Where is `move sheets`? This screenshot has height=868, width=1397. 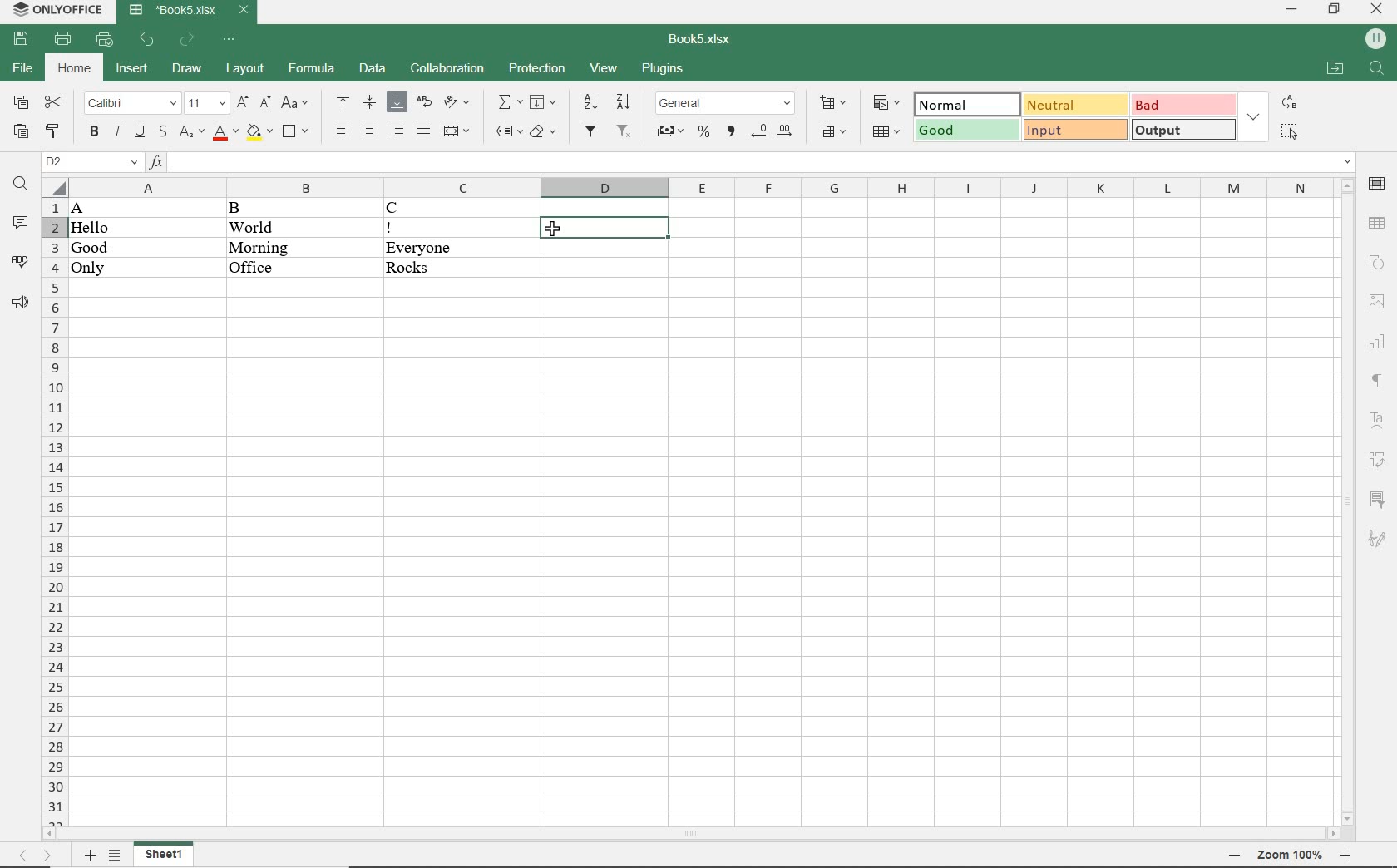 move sheets is located at coordinates (41, 856).